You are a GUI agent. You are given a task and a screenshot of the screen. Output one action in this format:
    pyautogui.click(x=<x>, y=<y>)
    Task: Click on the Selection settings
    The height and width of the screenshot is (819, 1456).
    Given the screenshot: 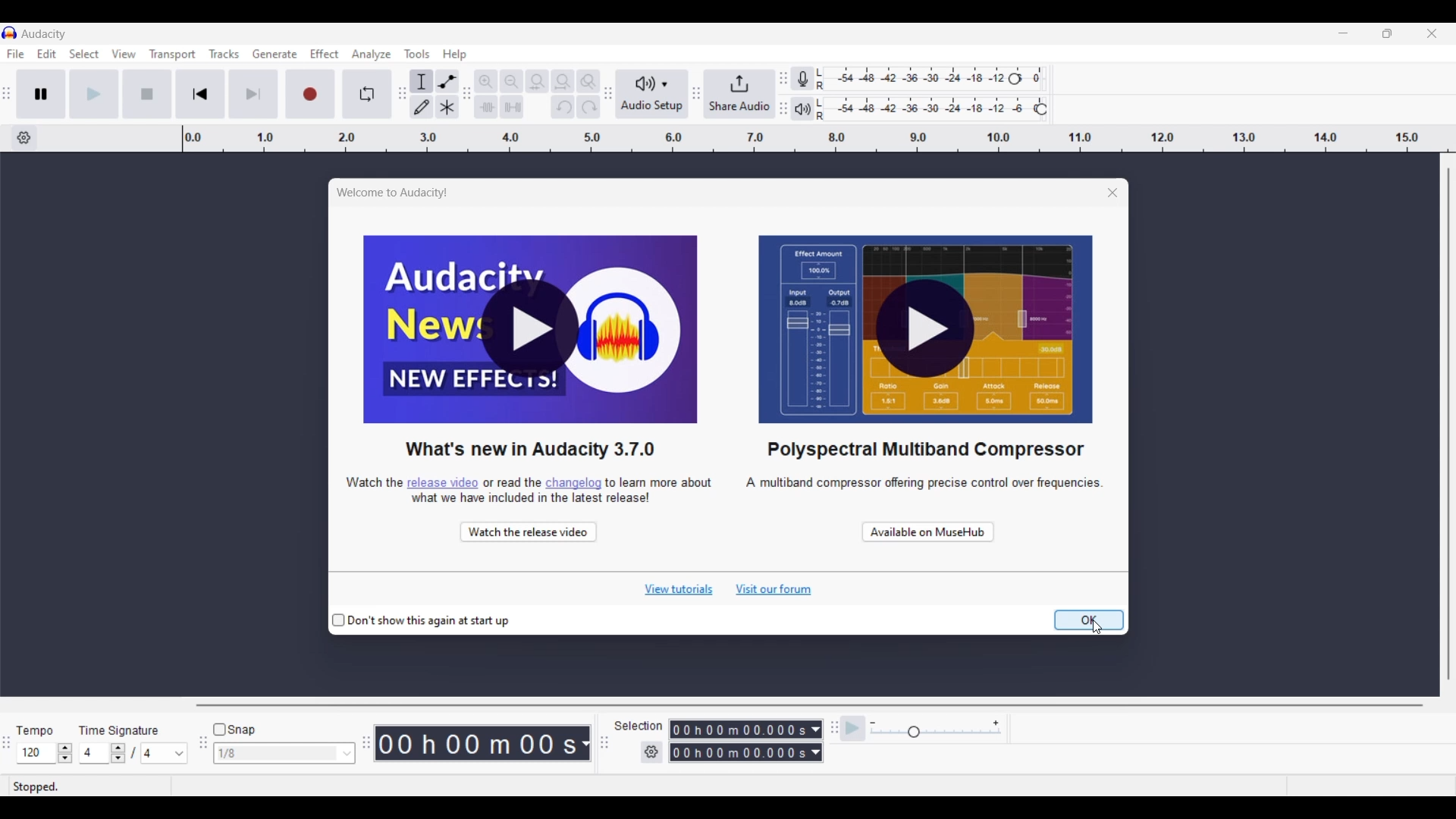 What is the action you would take?
    pyautogui.click(x=652, y=753)
    